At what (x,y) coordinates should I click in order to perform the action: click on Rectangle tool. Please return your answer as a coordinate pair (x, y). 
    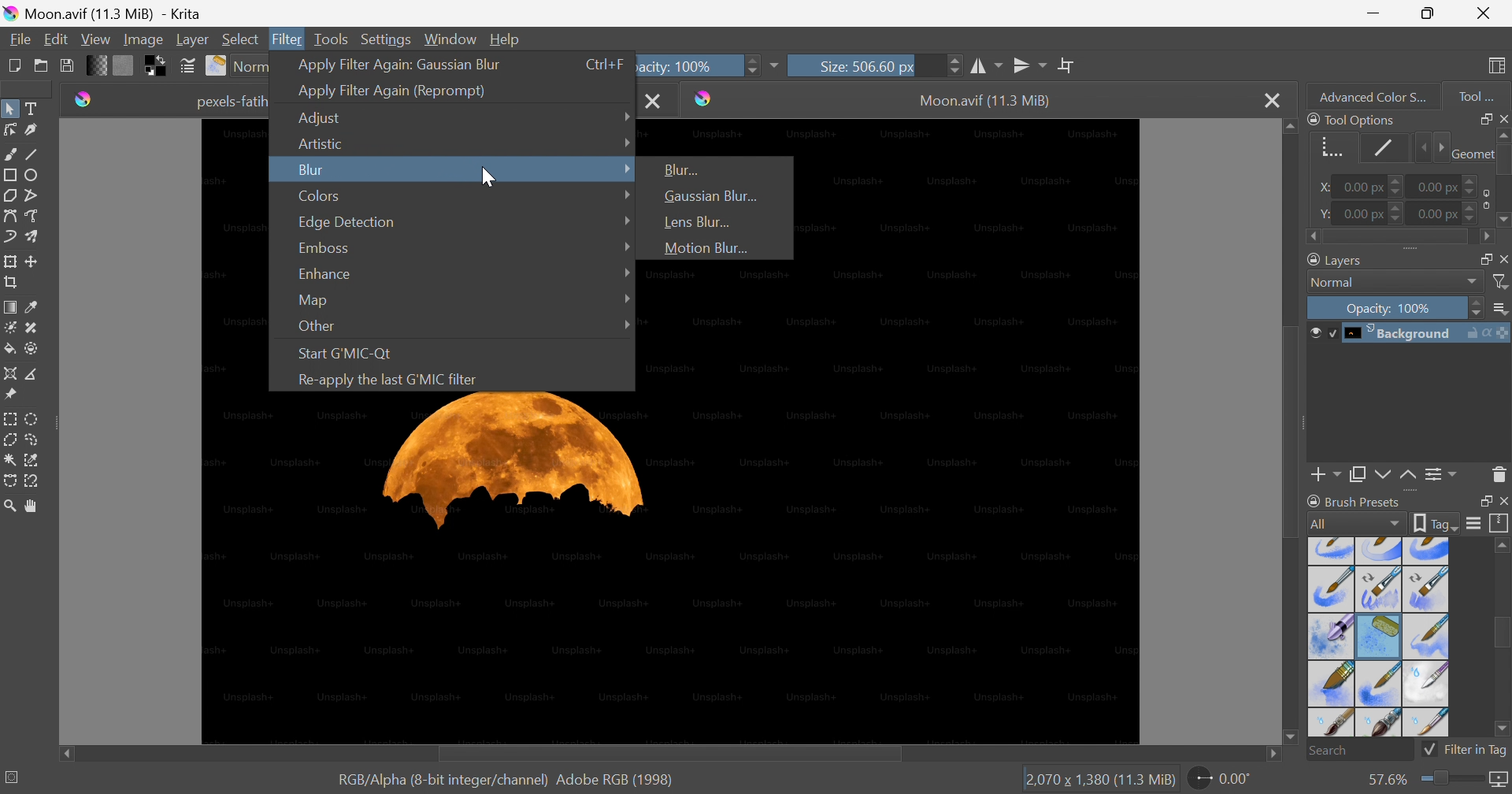
    Looking at the image, I should click on (9, 175).